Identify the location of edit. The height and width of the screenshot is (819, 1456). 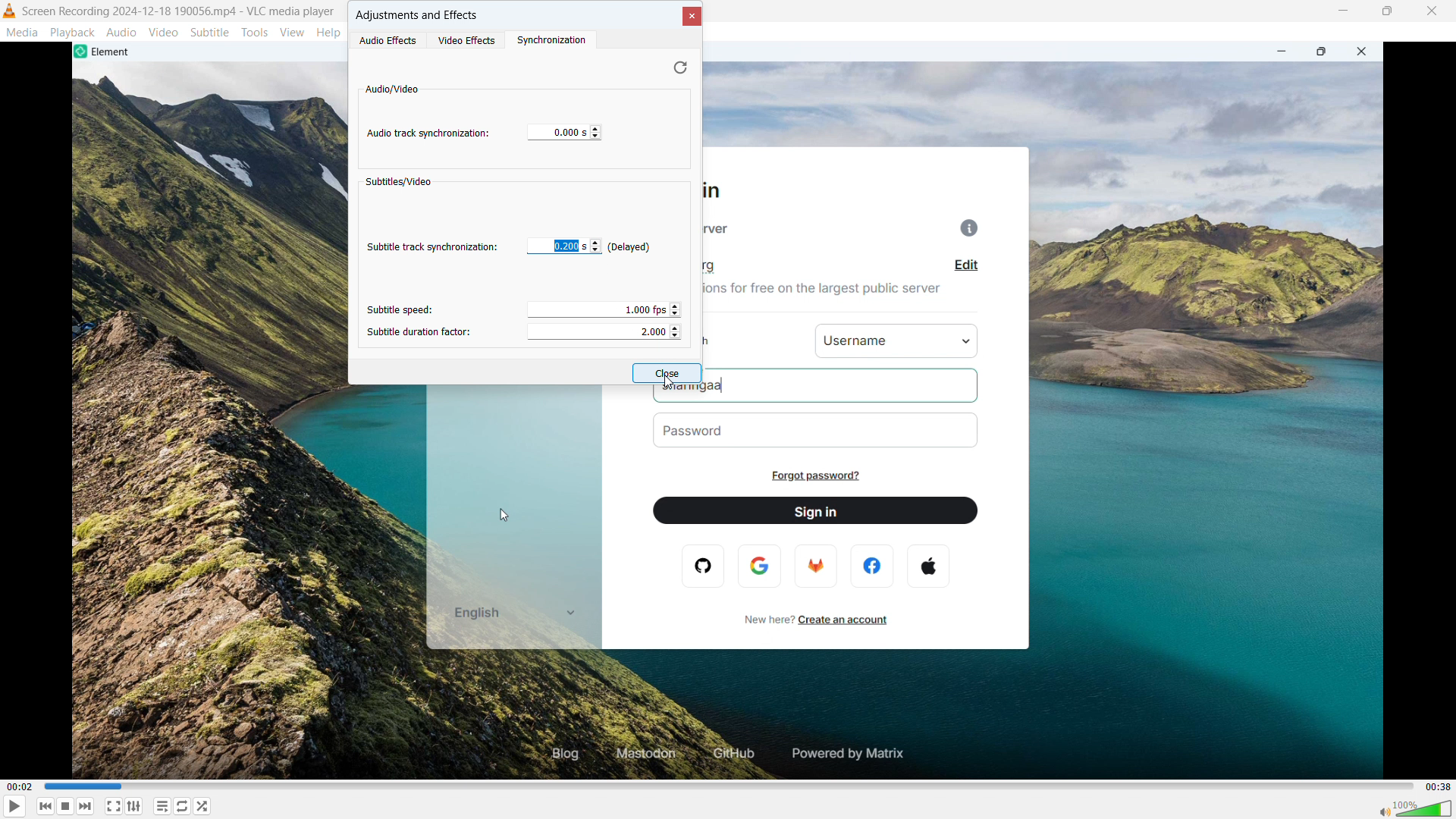
(967, 265).